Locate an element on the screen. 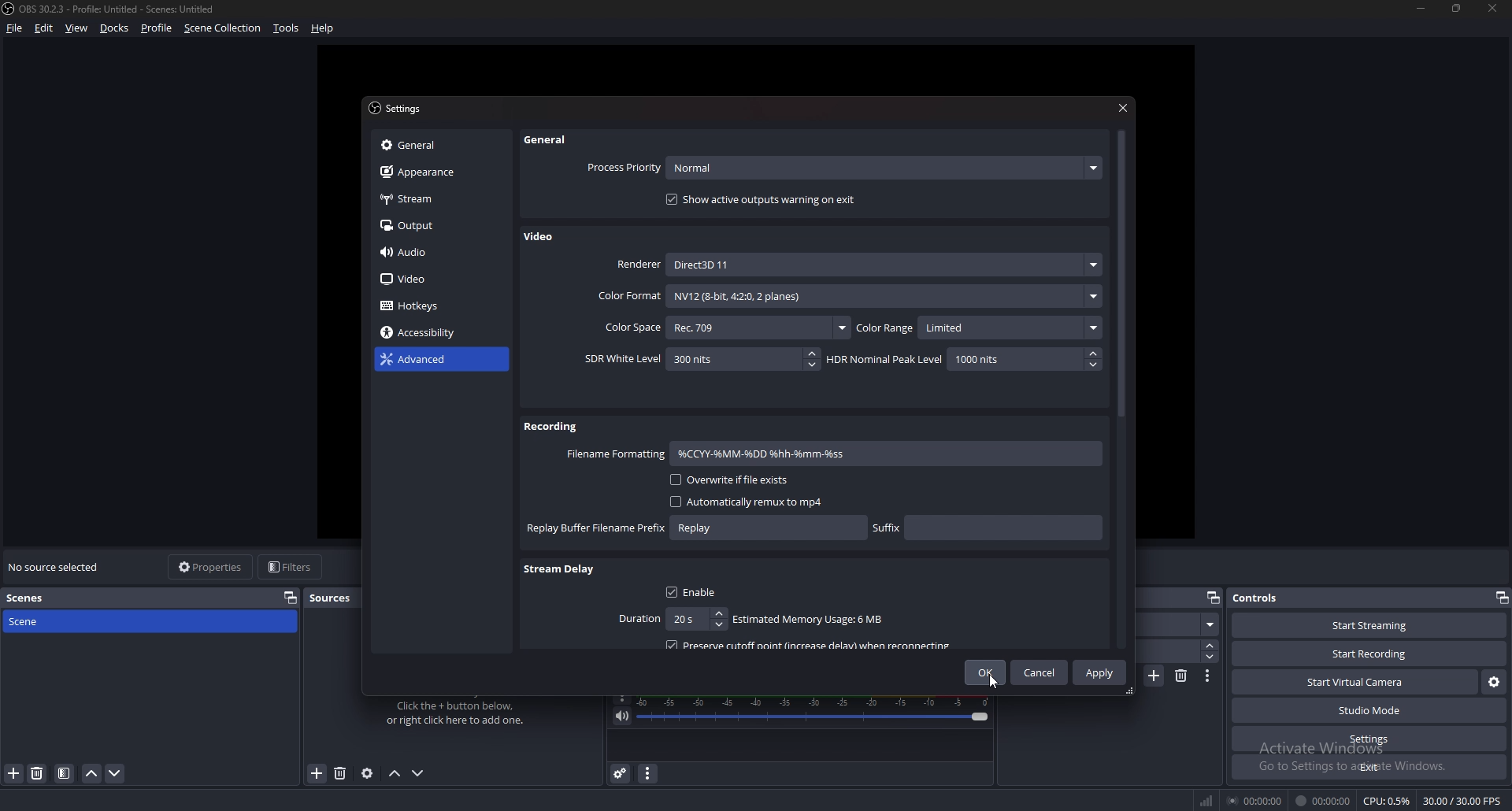 Image resolution: width=1512 pixels, height=811 pixels. transition properties is located at coordinates (1208, 676).